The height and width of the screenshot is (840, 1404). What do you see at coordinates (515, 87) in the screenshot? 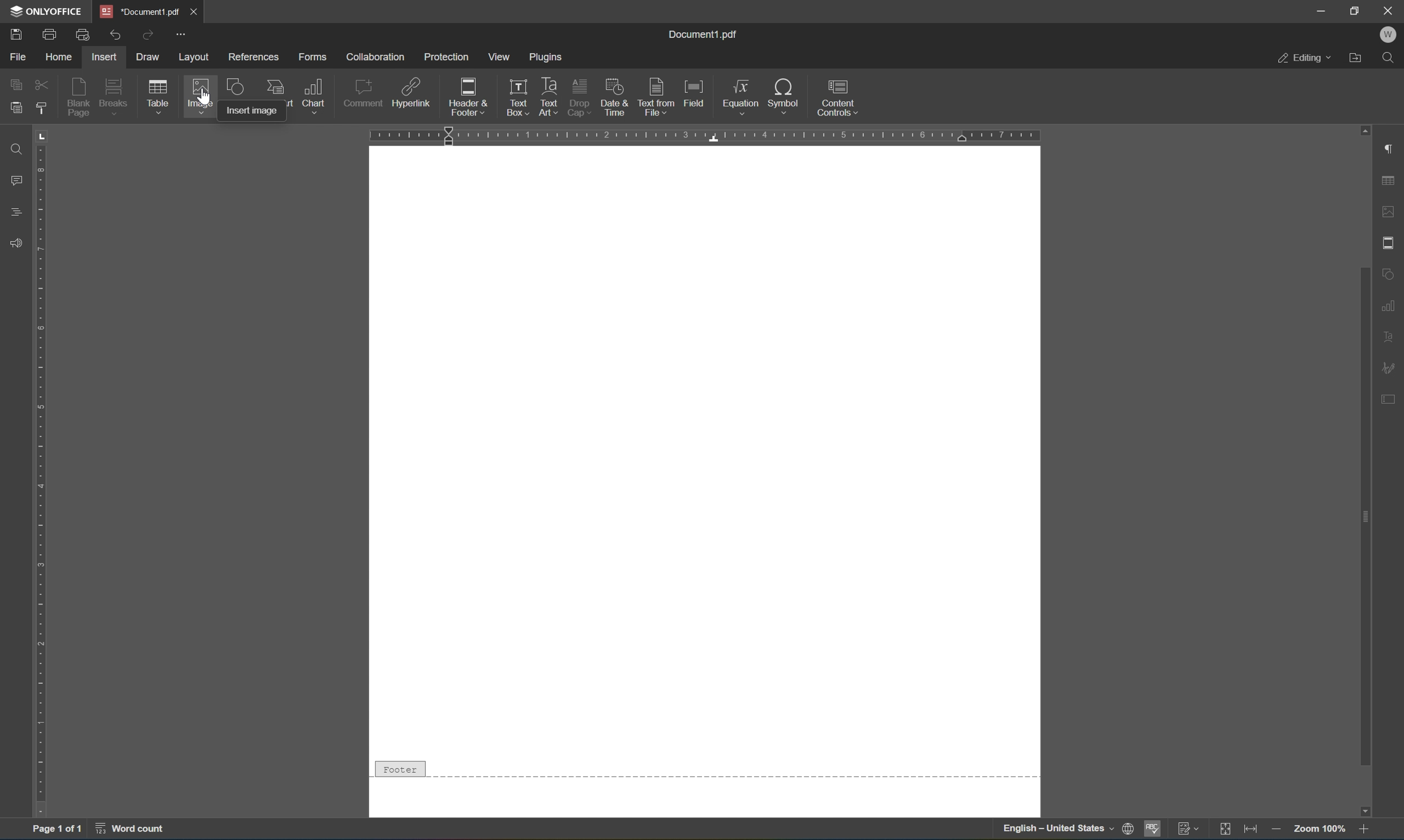
I see `text box` at bounding box center [515, 87].